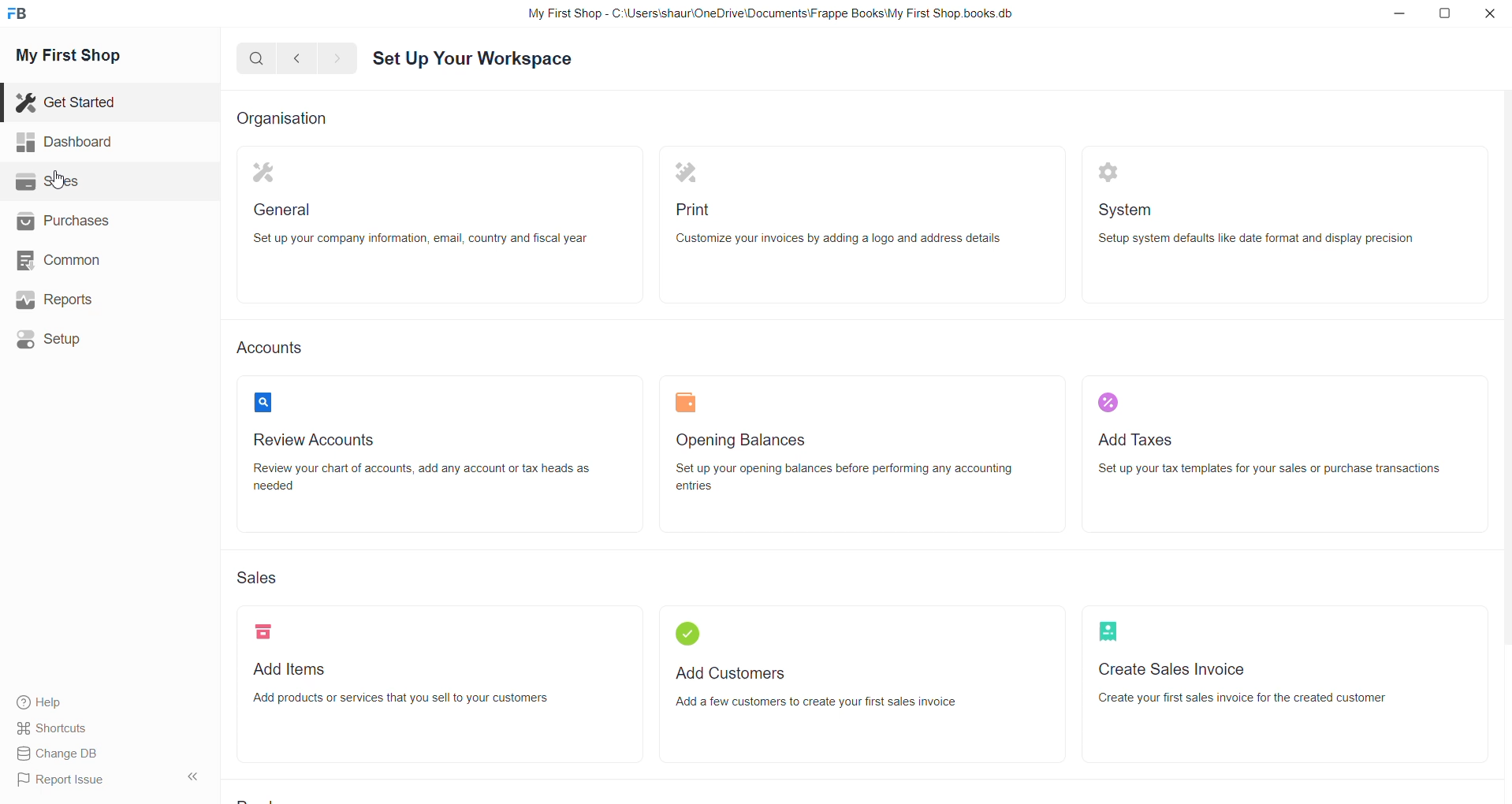 This screenshot has width=1512, height=804. What do you see at coordinates (477, 62) in the screenshot?
I see `Set Up Your Workspace` at bounding box center [477, 62].